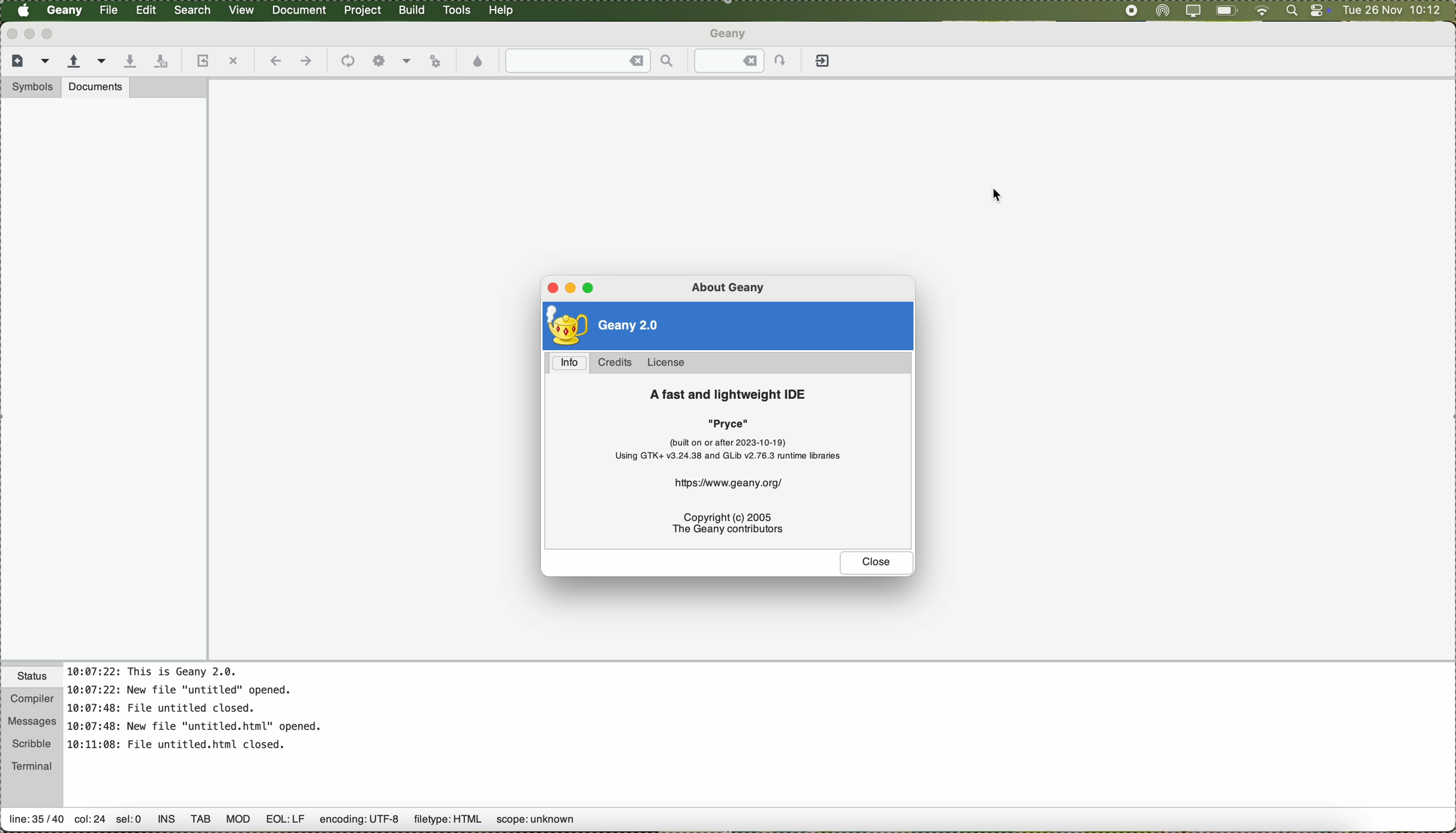 Image resolution: width=1456 pixels, height=833 pixels. What do you see at coordinates (287, 823) in the screenshot?
I see `EOL:LF` at bounding box center [287, 823].